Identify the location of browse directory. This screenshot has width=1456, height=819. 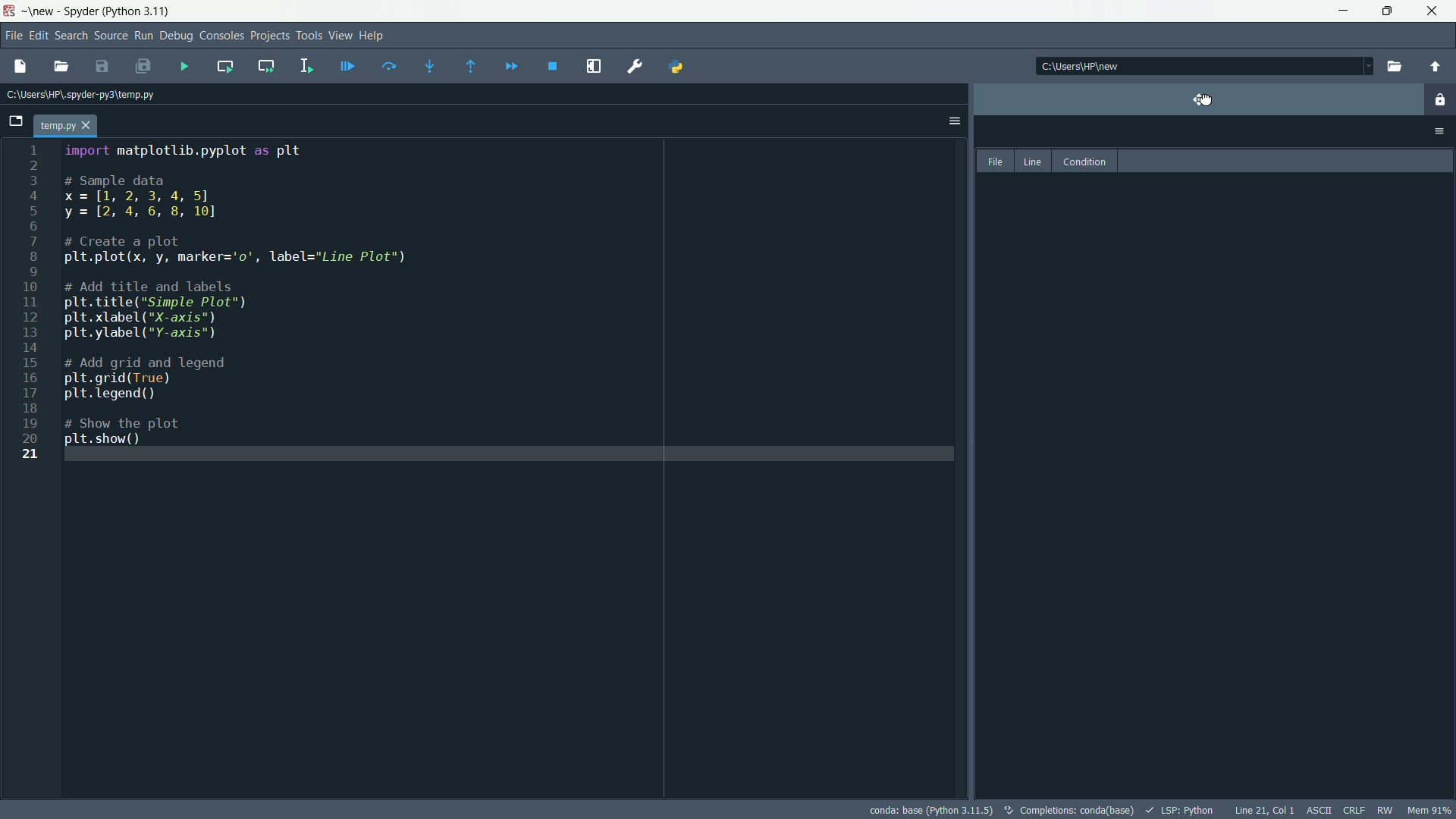
(1394, 66).